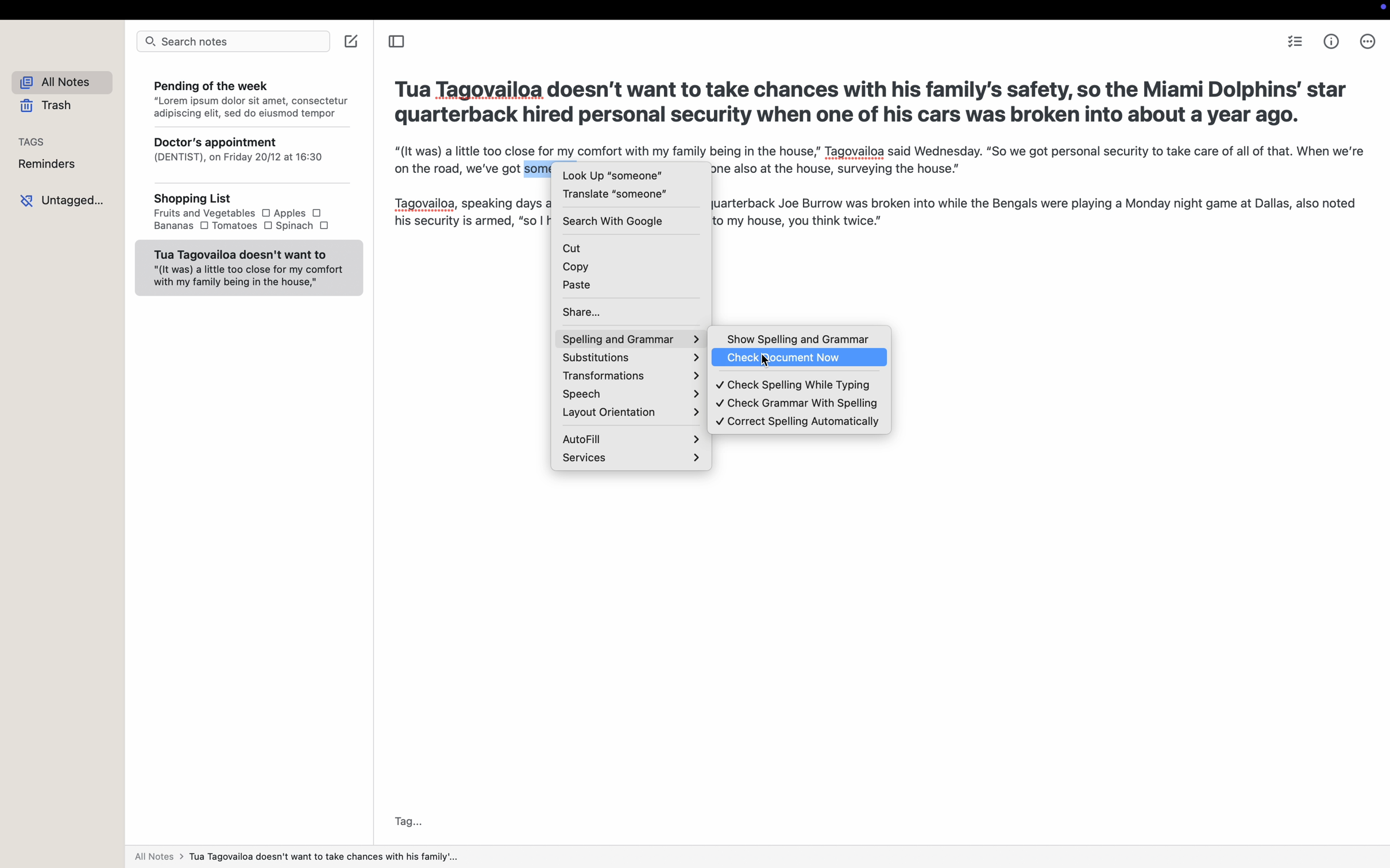 The image size is (1390, 868). What do you see at coordinates (396, 43) in the screenshot?
I see `toggle sidebar` at bounding box center [396, 43].